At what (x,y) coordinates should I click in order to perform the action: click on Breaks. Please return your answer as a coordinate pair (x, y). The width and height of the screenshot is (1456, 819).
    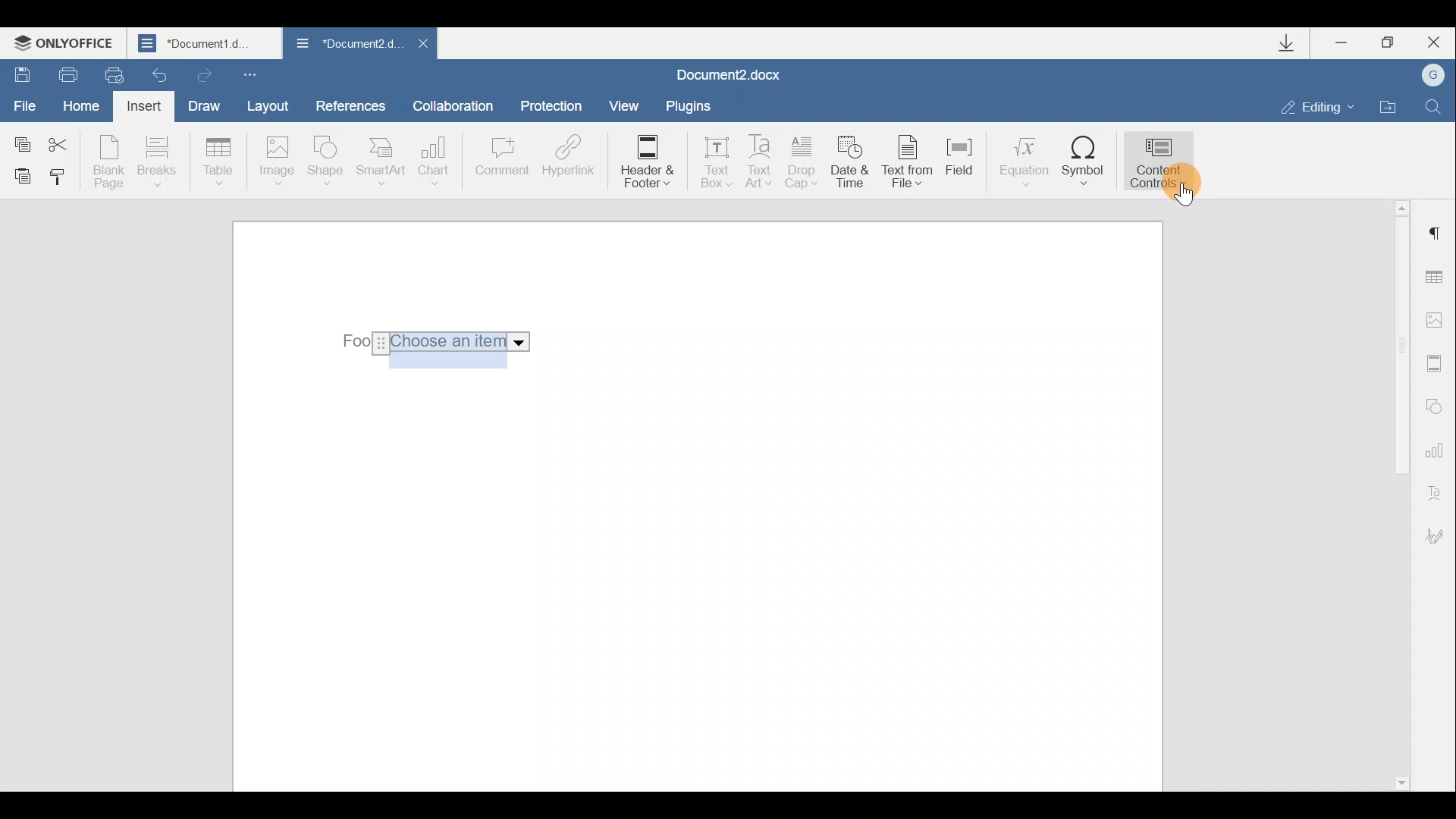
    Looking at the image, I should click on (155, 165).